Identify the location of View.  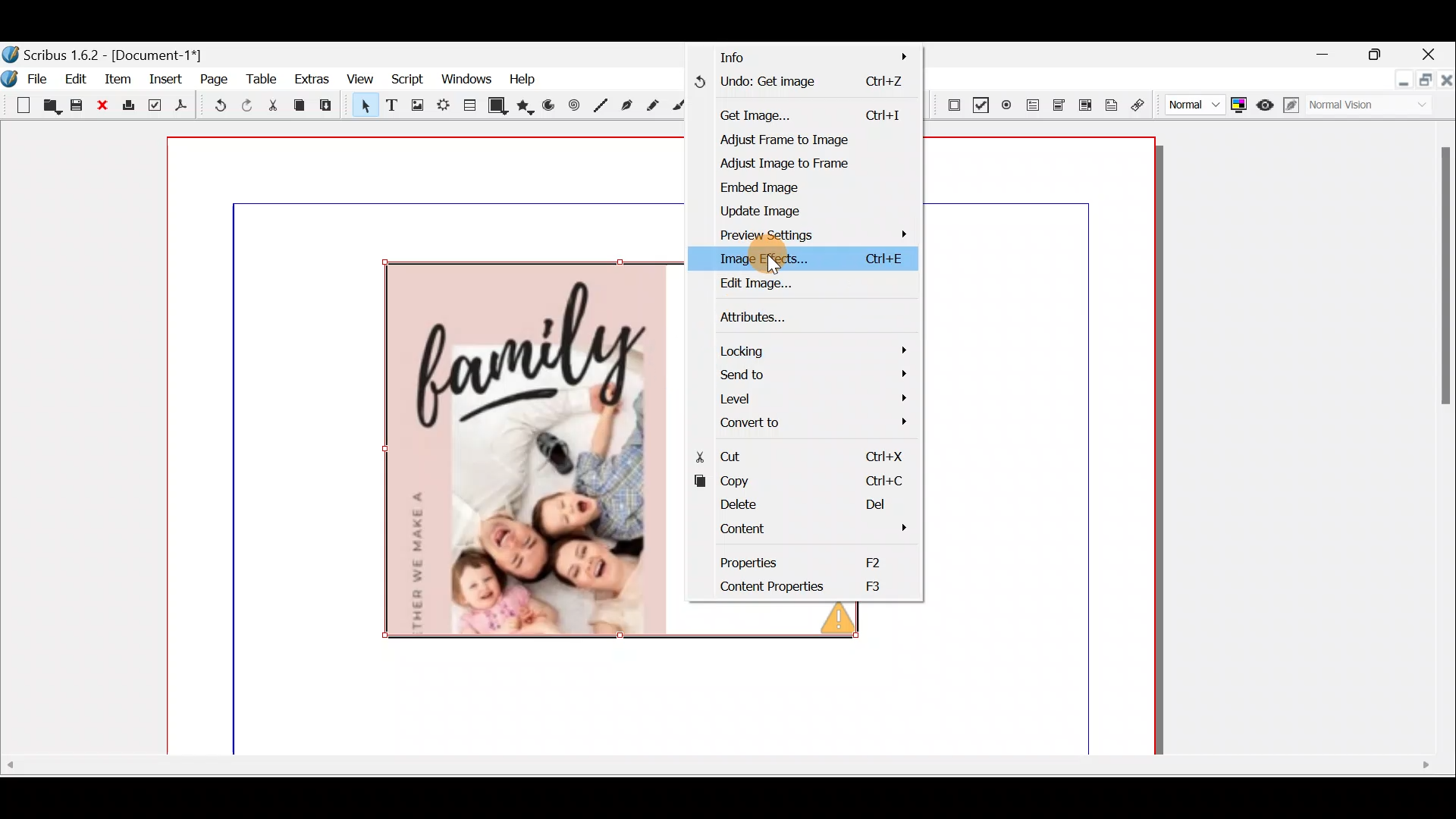
(359, 79).